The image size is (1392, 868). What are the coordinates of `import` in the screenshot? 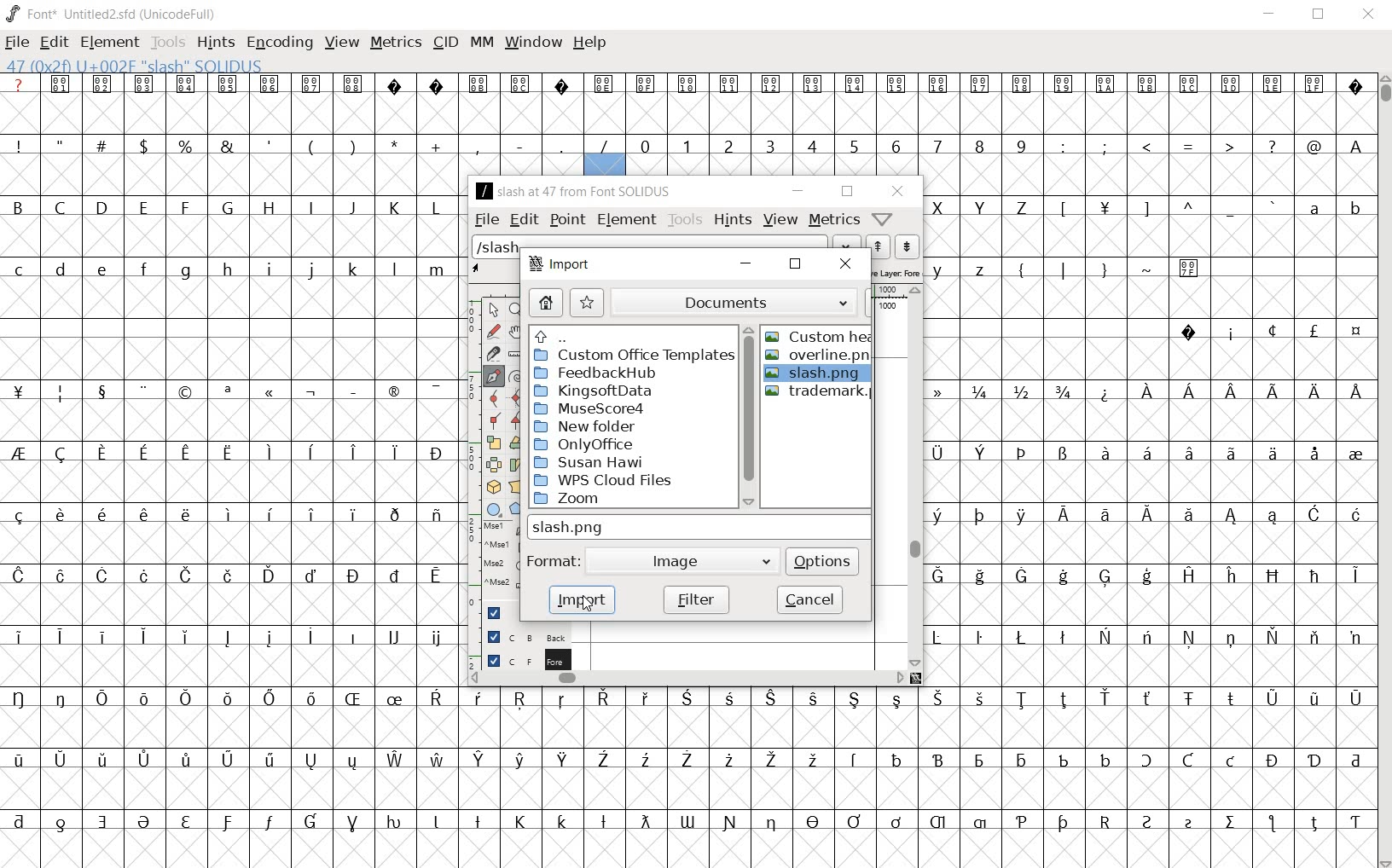 It's located at (557, 263).